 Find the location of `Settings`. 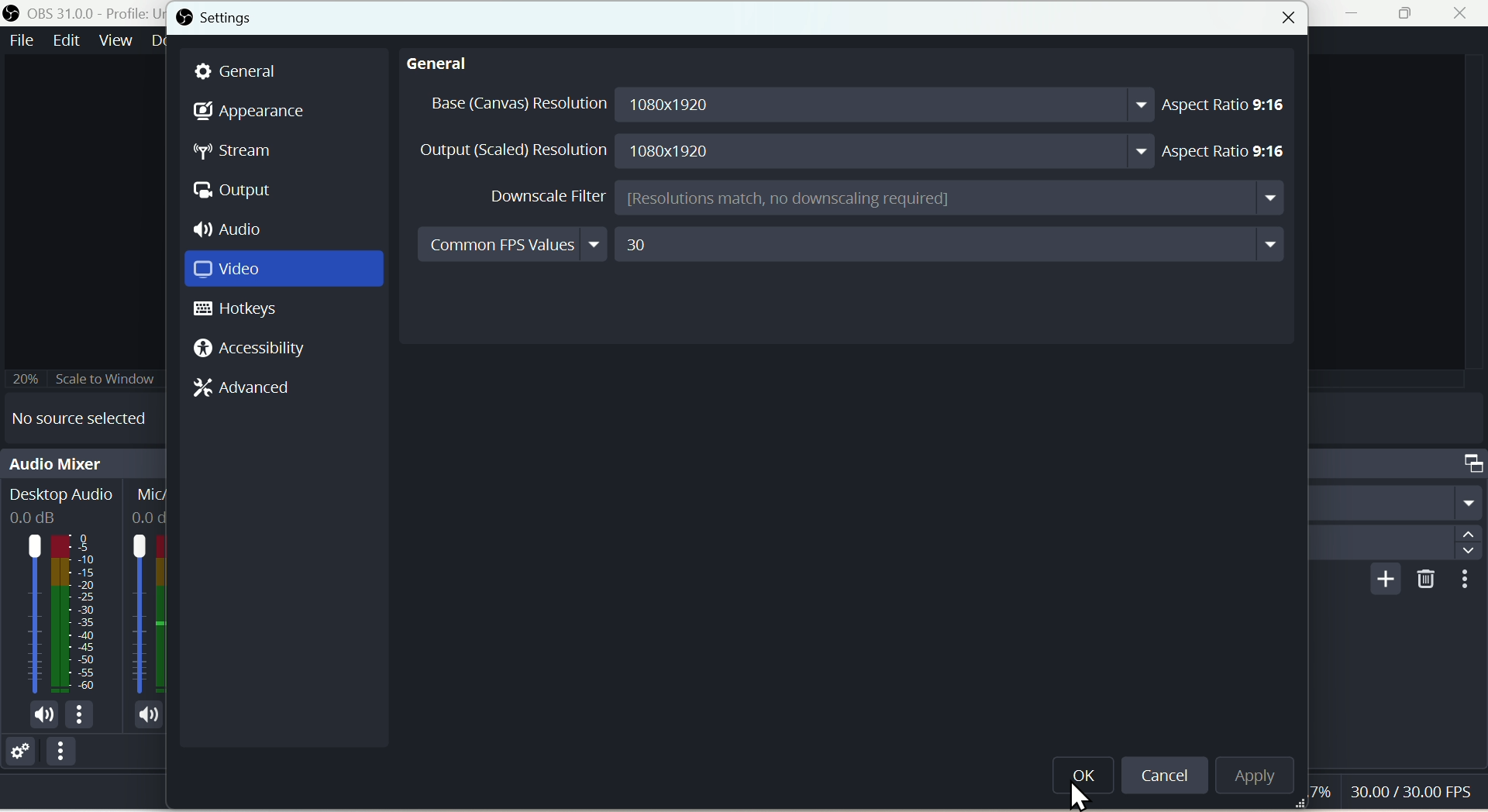

Settings is located at coordinates (219, 17).